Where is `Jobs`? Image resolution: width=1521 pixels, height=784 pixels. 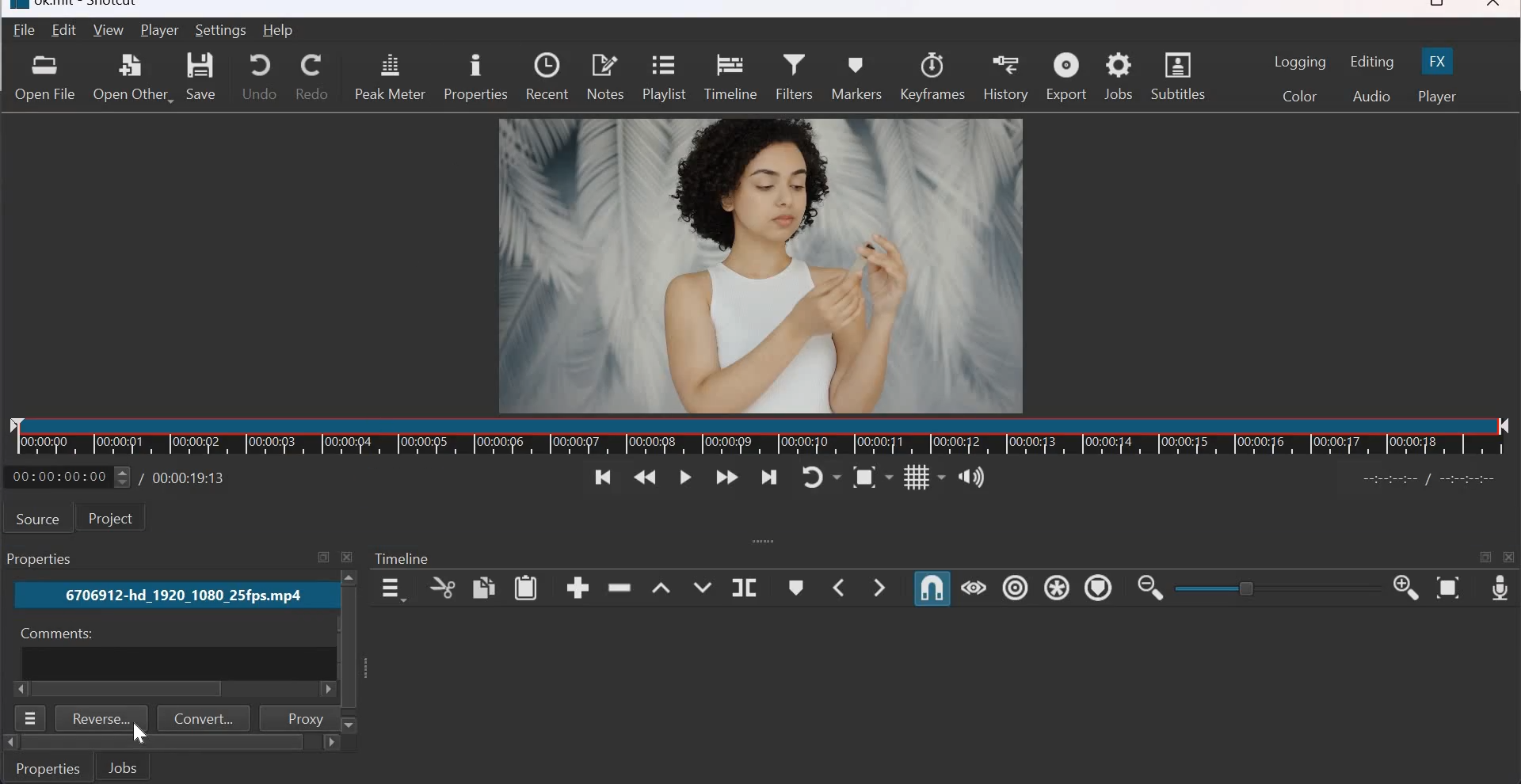 Jobs is located at coordinates (43, 559).